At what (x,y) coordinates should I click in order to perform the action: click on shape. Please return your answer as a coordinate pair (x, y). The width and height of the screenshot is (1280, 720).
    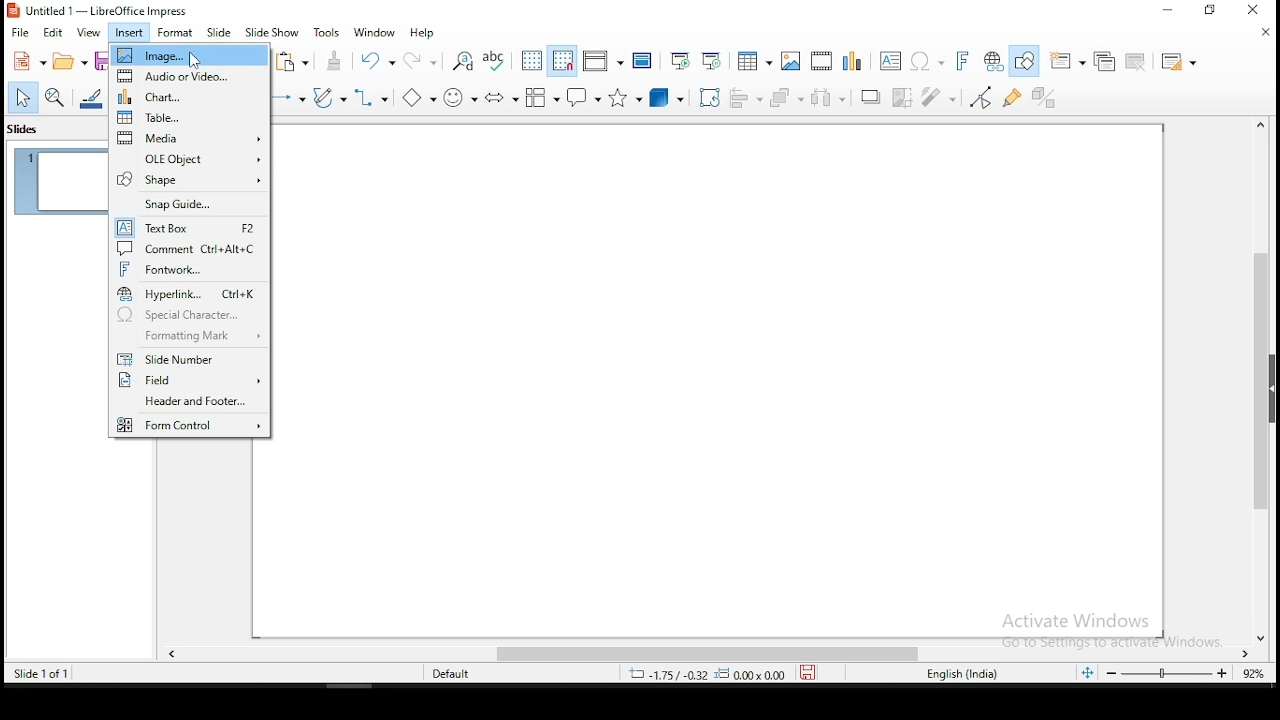
    Looking at the image, I should click on (190, 178).